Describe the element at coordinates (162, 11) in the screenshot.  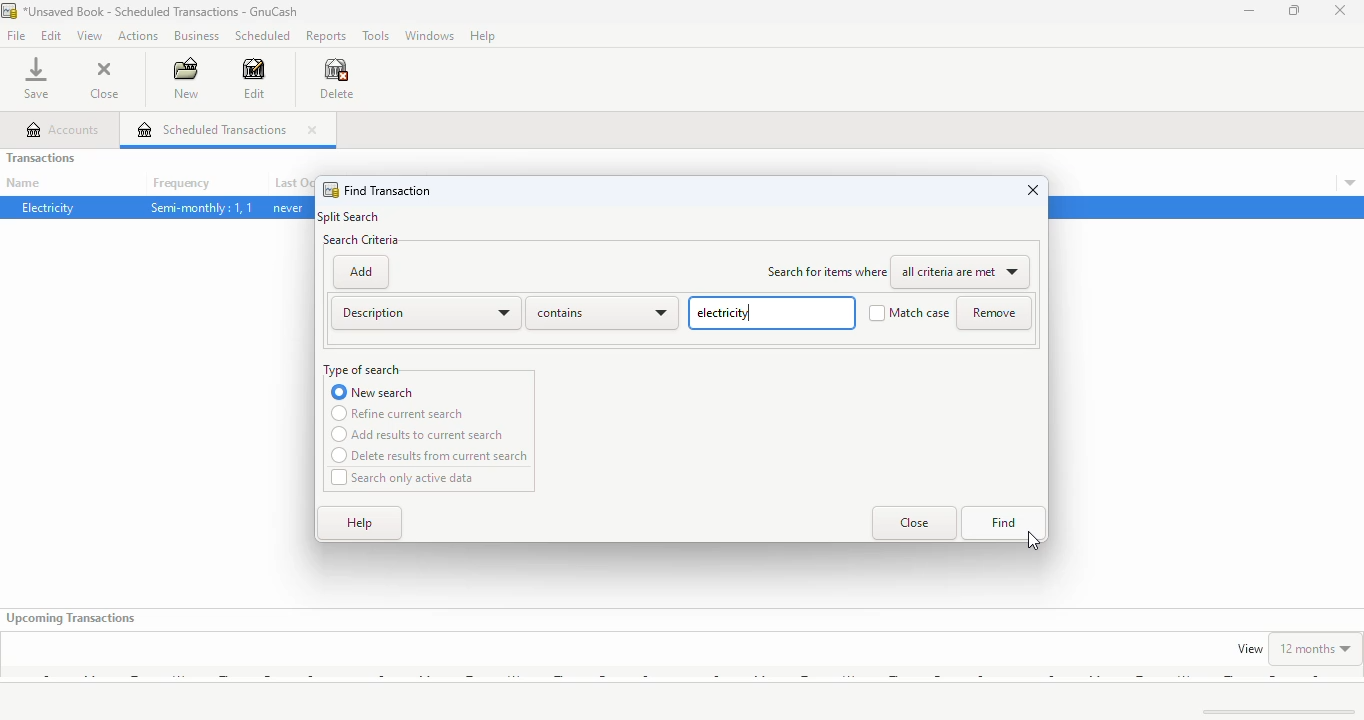
I see `title` at that location.